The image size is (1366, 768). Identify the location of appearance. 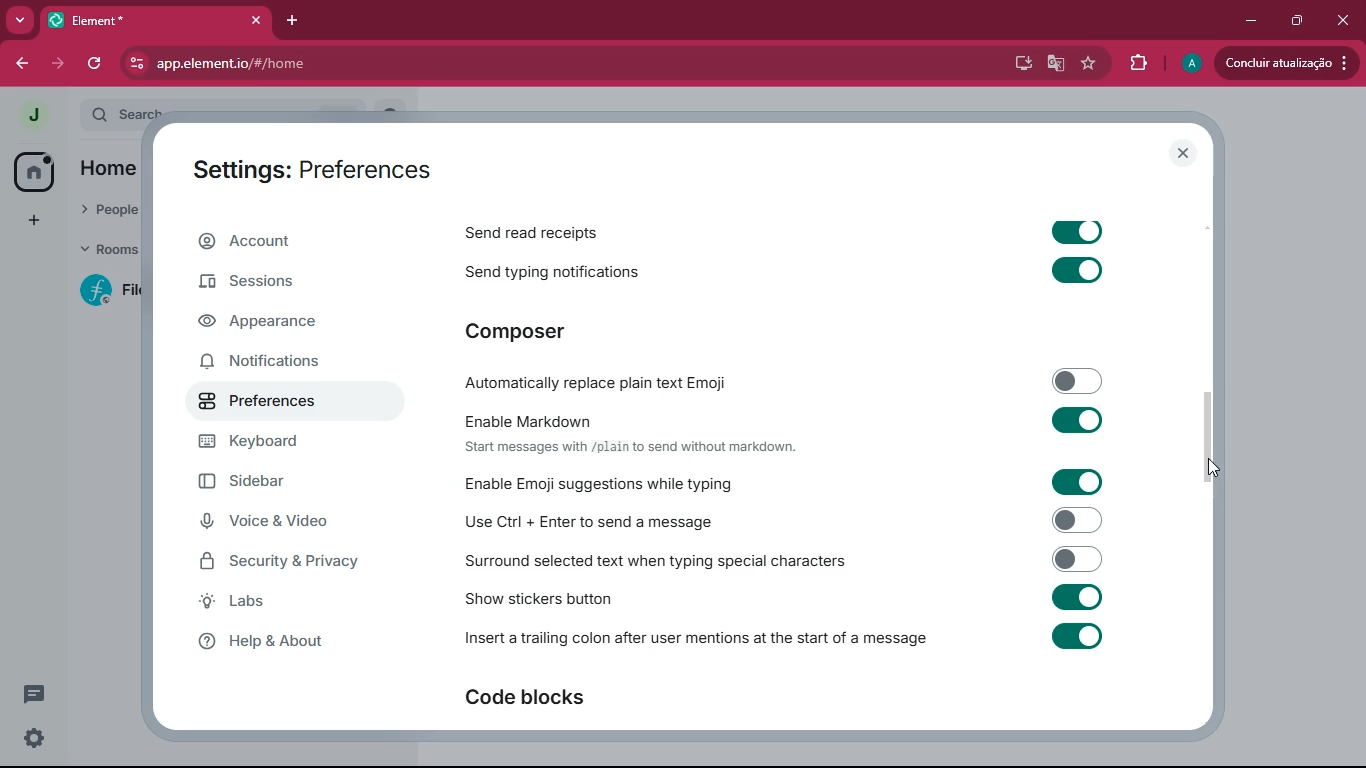
(277, 324).